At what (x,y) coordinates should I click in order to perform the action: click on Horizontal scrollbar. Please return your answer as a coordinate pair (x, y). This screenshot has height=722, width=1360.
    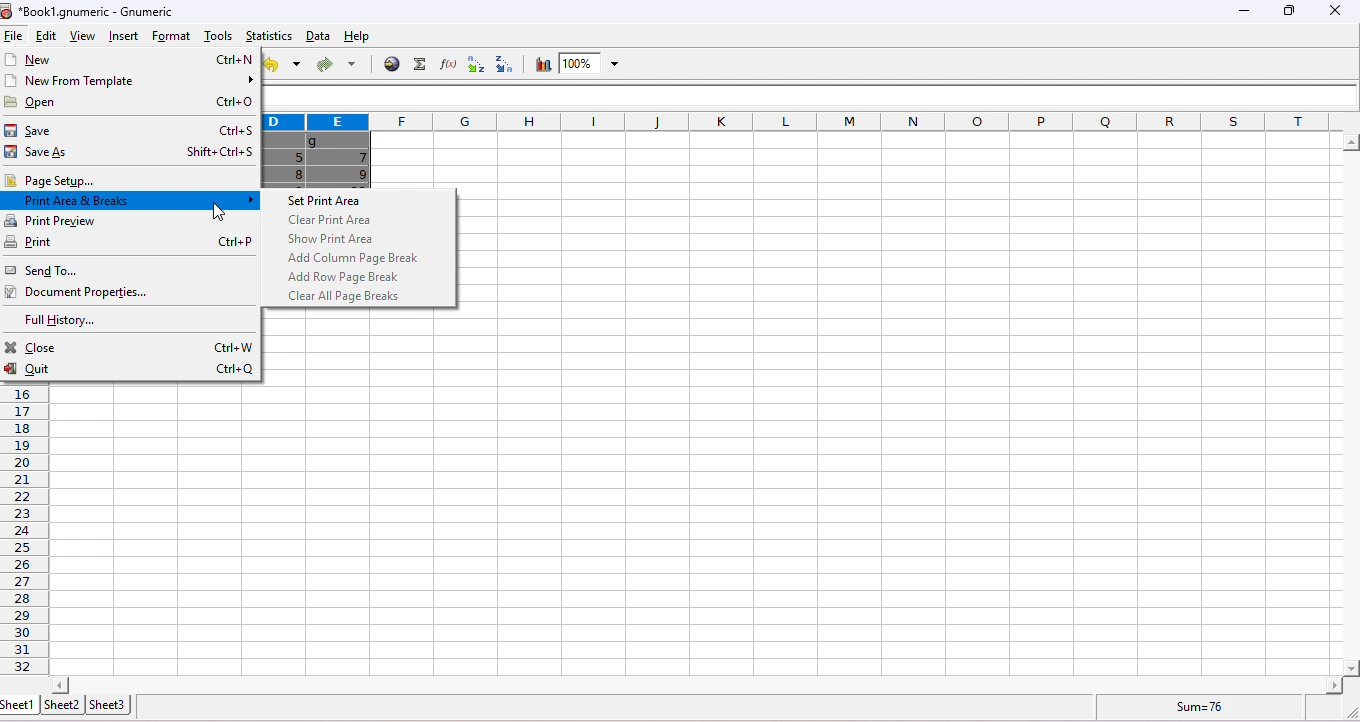
    Looking at the image, I should click on (697, 684).